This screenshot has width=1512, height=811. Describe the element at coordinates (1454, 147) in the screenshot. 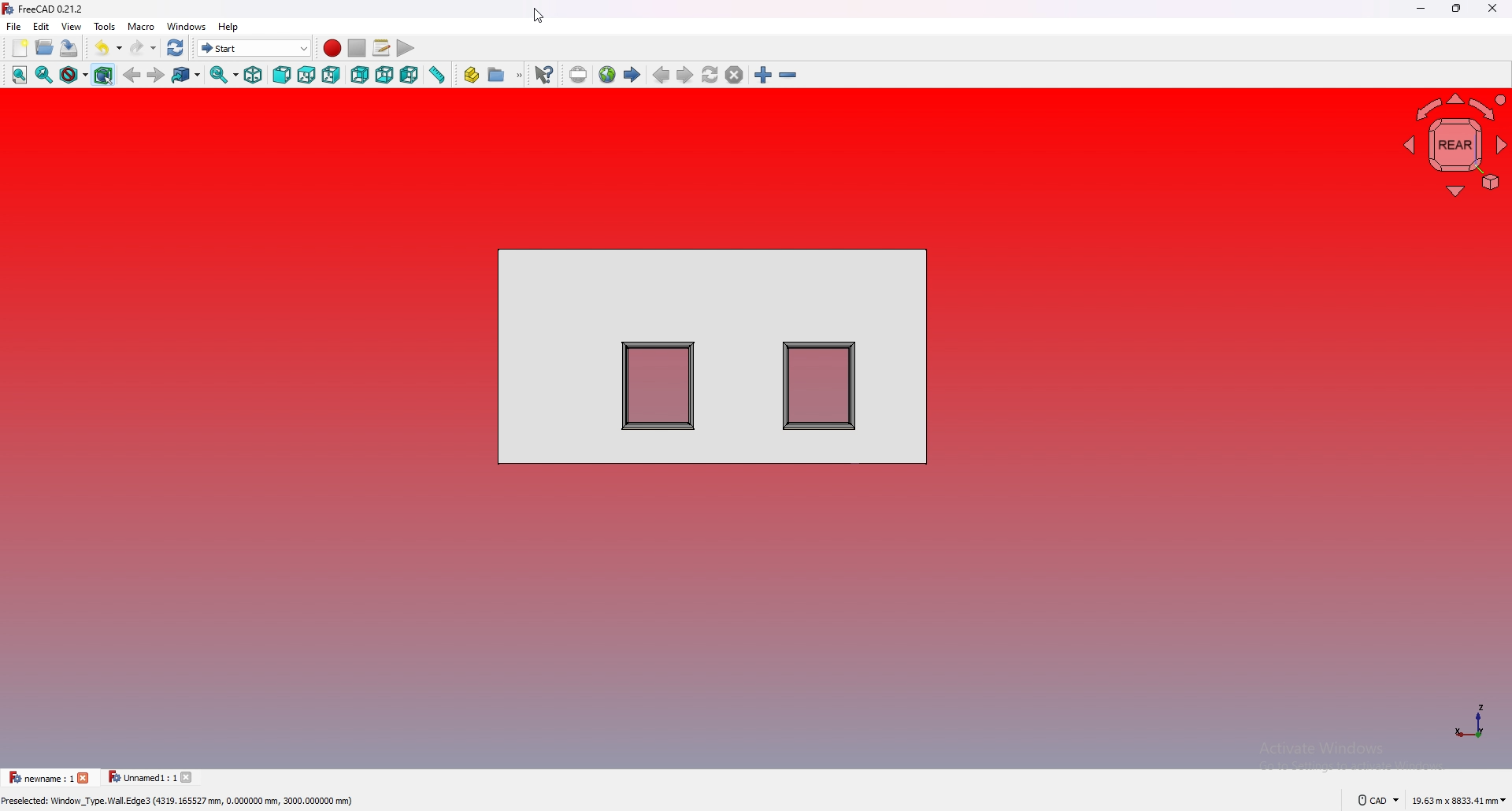

I see `navigating cube` at that location.